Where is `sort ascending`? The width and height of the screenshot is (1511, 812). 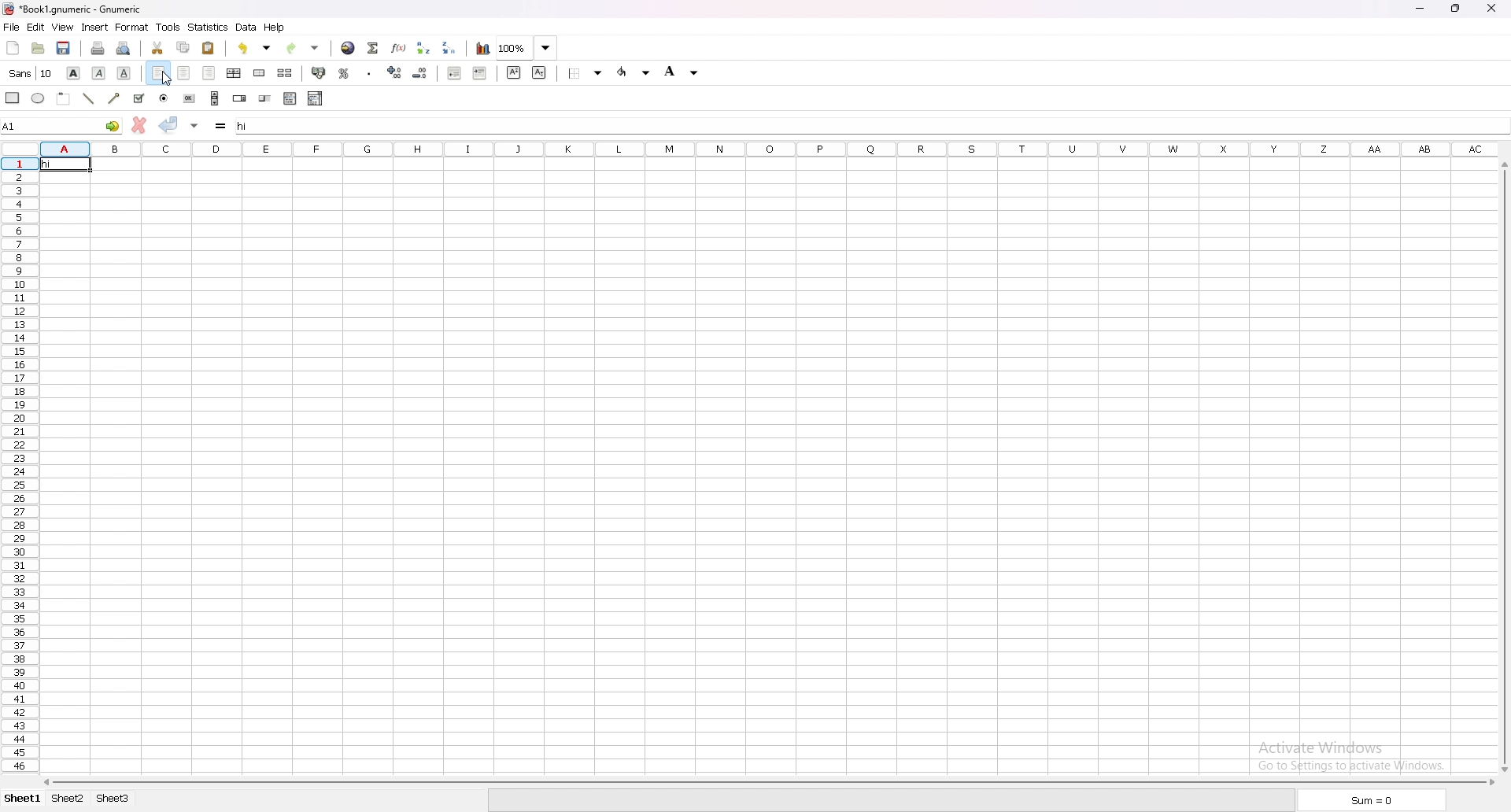
sort ascending is located at coordinates (423, 47).